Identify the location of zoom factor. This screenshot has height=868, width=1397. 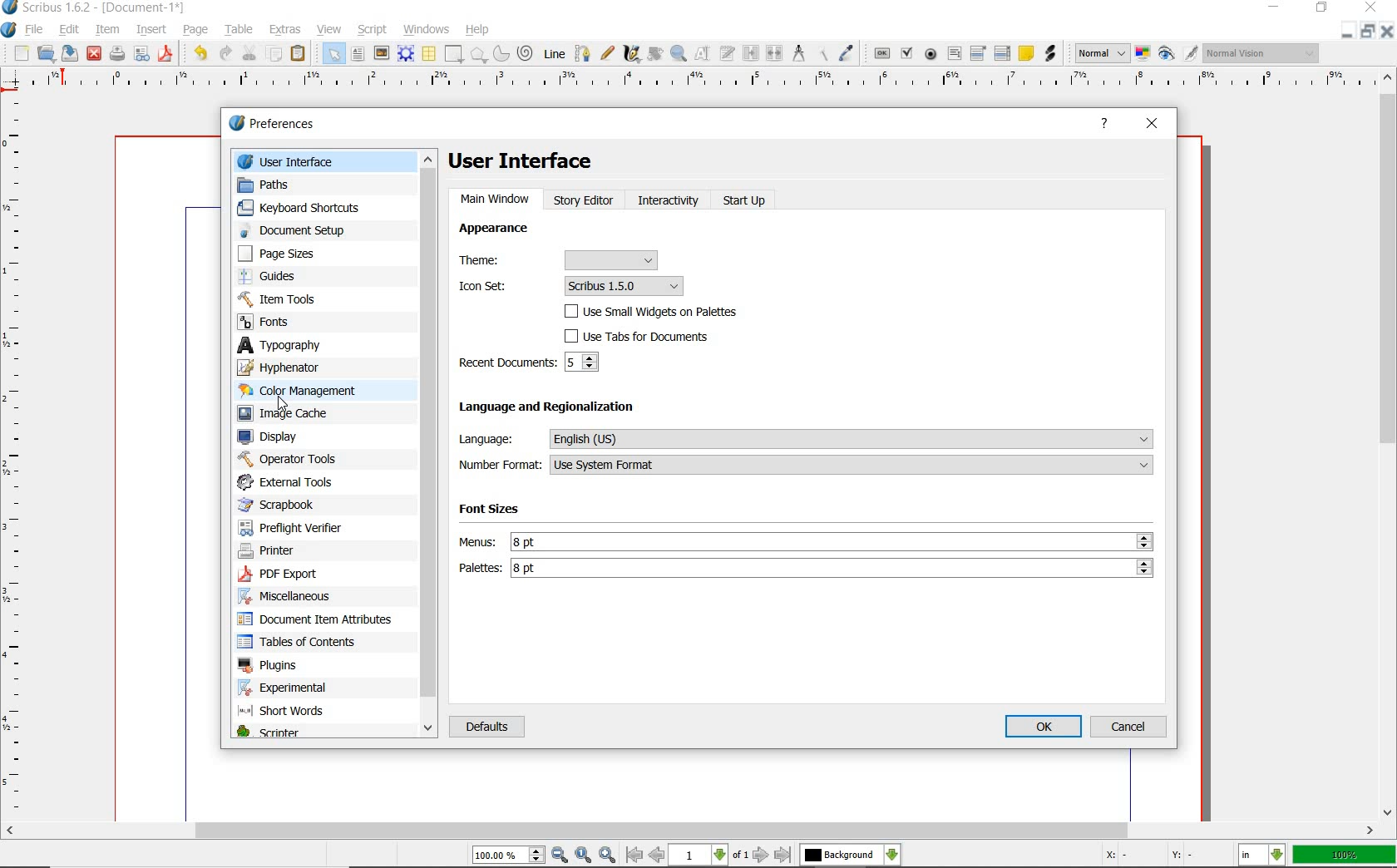
(1345, 855).